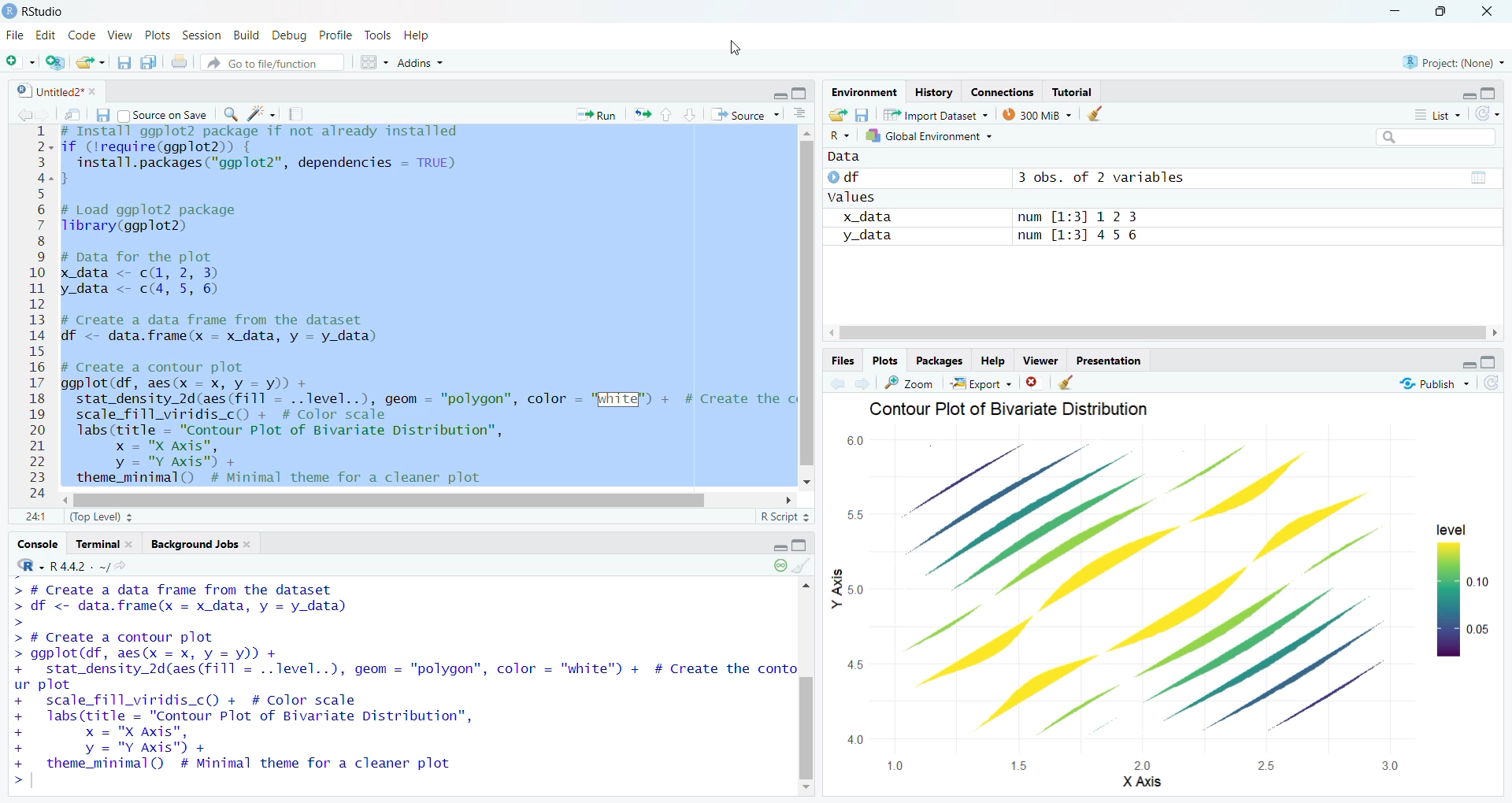  What do you see at coordinates (1492, 384) in the screenshot?
I see `refresh` at bounding box center [1492, 384].